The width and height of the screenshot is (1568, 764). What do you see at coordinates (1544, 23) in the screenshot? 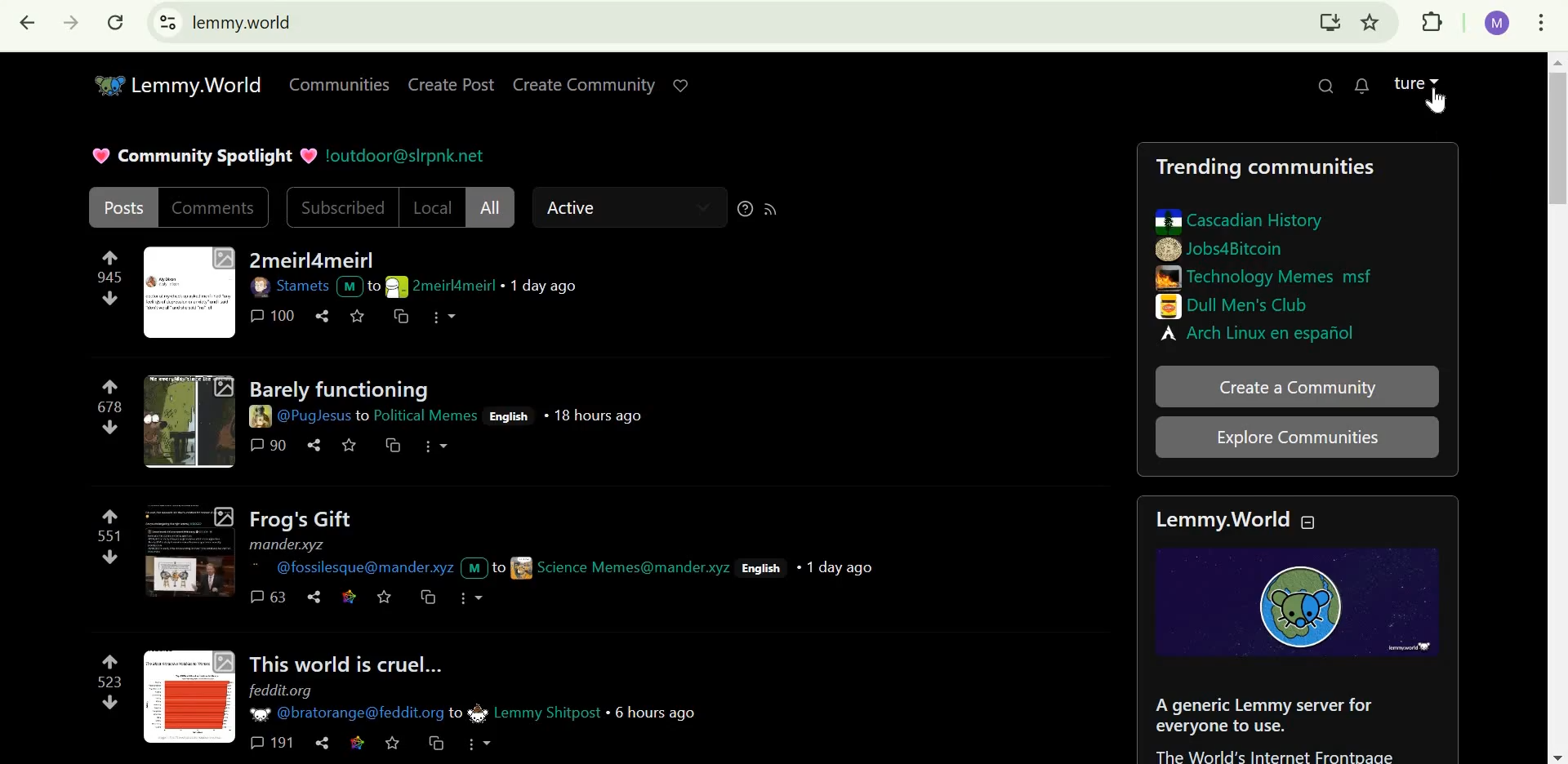
I see `customize and control google chrome` at bounding box center [1544, 23].